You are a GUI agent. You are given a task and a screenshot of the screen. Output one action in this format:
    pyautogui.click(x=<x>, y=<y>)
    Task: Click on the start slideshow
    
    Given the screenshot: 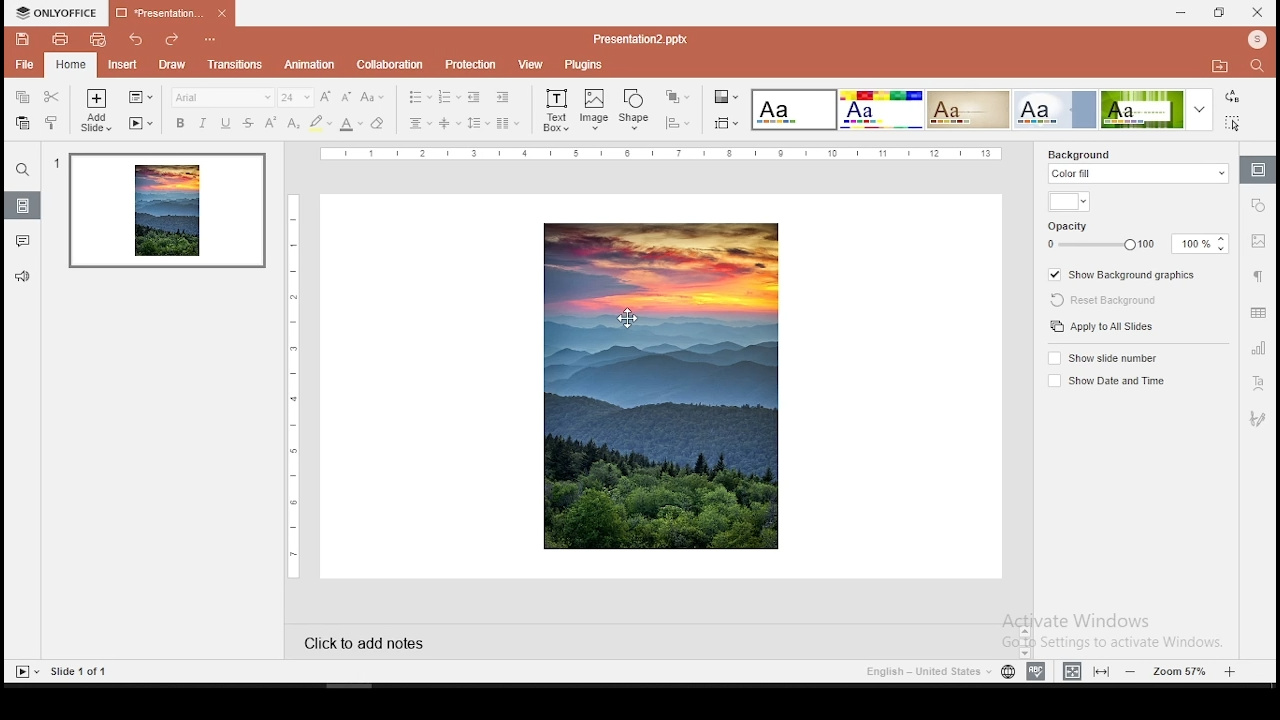 What is the action you would take?
    pyautogui.click(x=26, y=673)
    